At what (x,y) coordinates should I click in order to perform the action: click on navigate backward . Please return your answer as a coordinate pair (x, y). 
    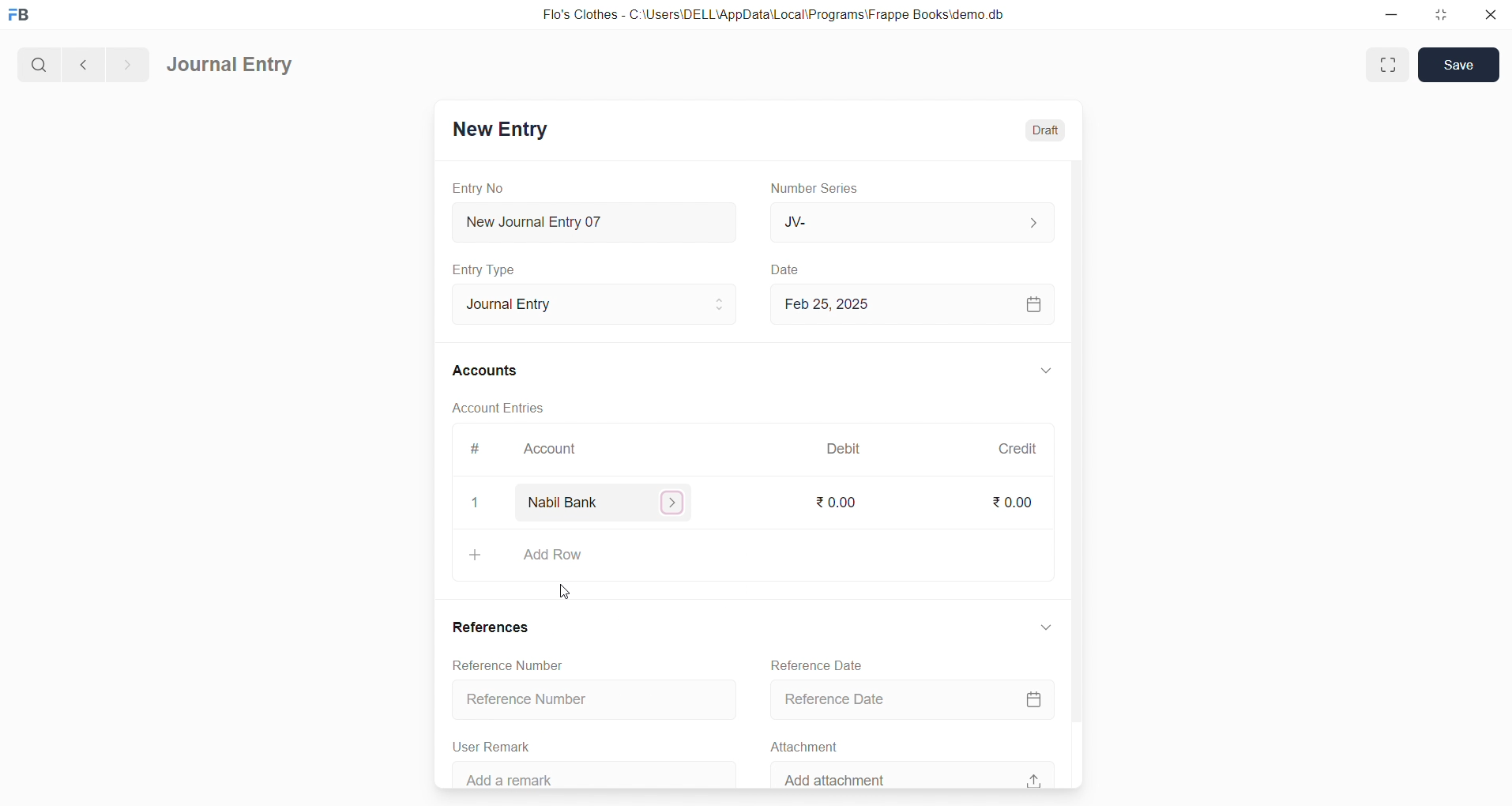
    Looking at the image, I should click on (81, 62).